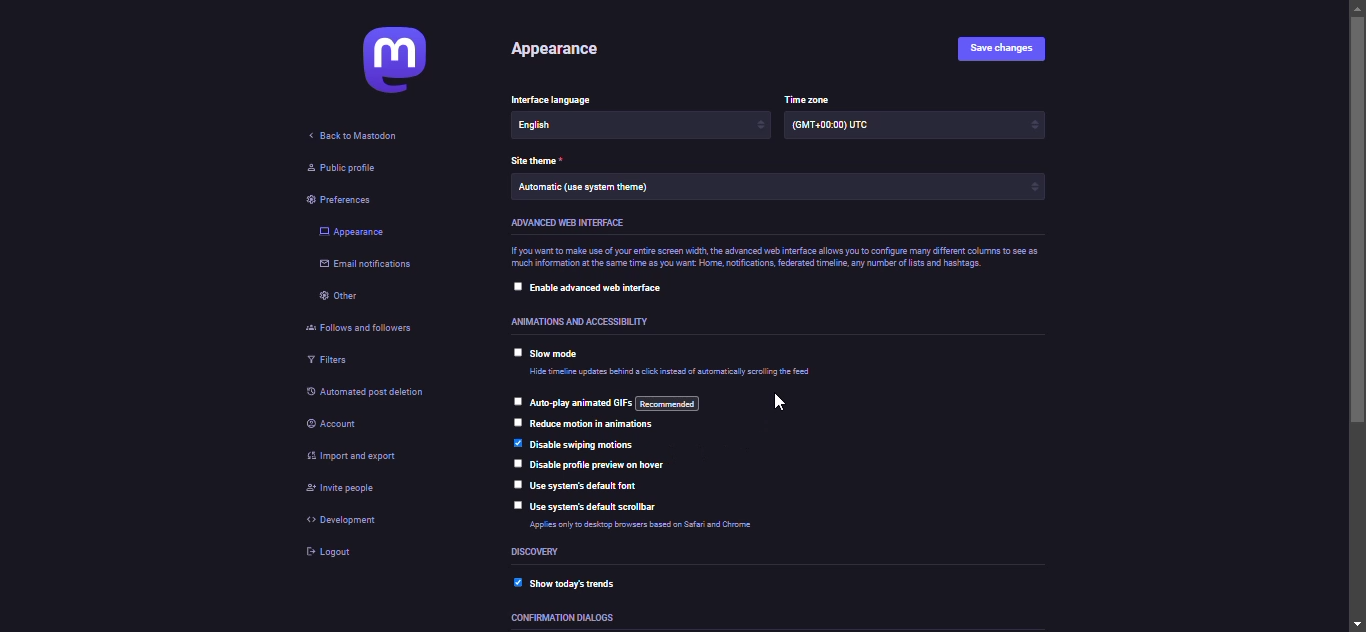 This screenshot has height=632, width=1366. What do you see at coordinates (328, 360) in the screenshot?
I see `filters` at bounding box center [328, 360].